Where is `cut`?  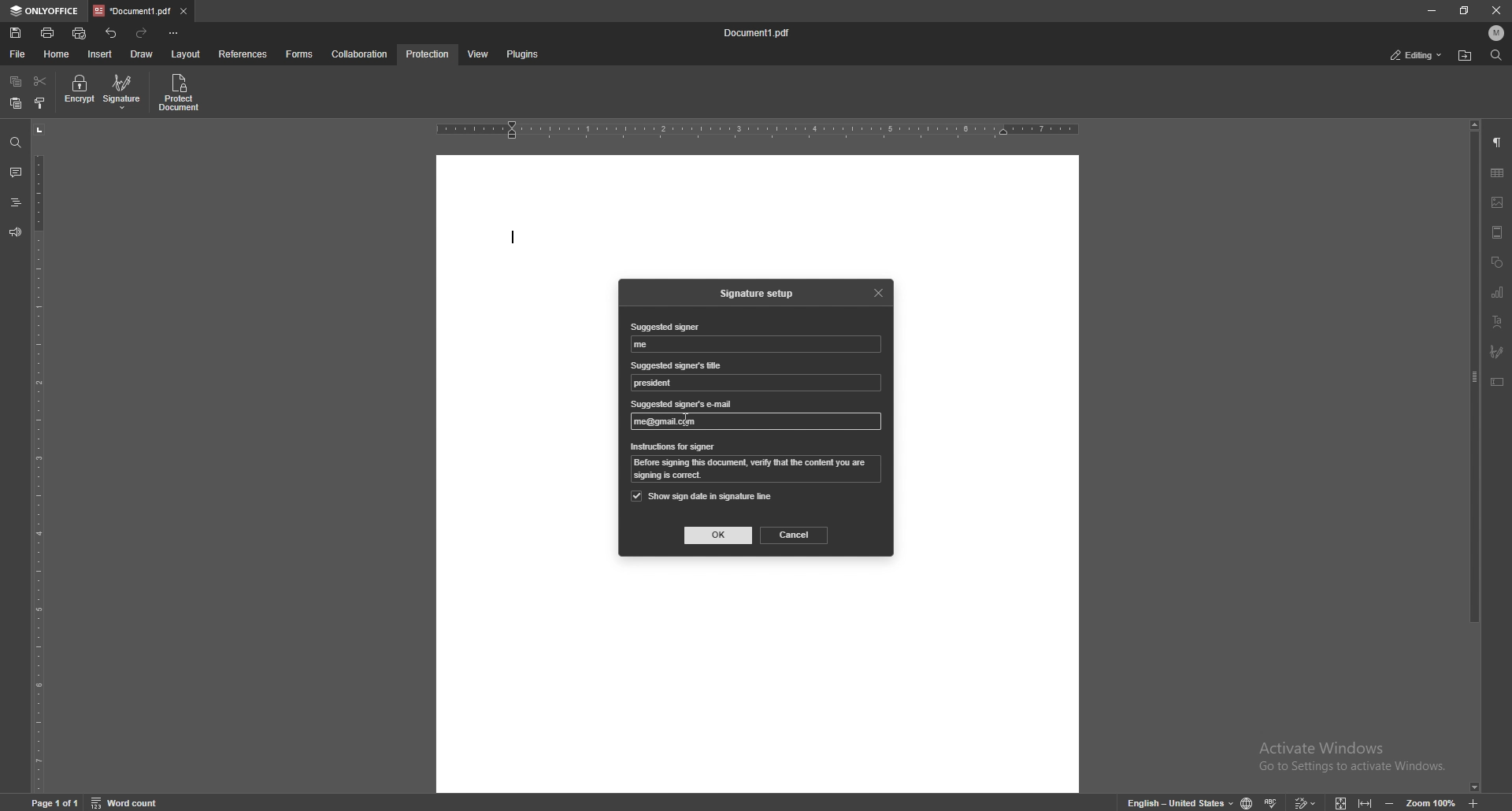
cut is located at coordinates (40, 82).